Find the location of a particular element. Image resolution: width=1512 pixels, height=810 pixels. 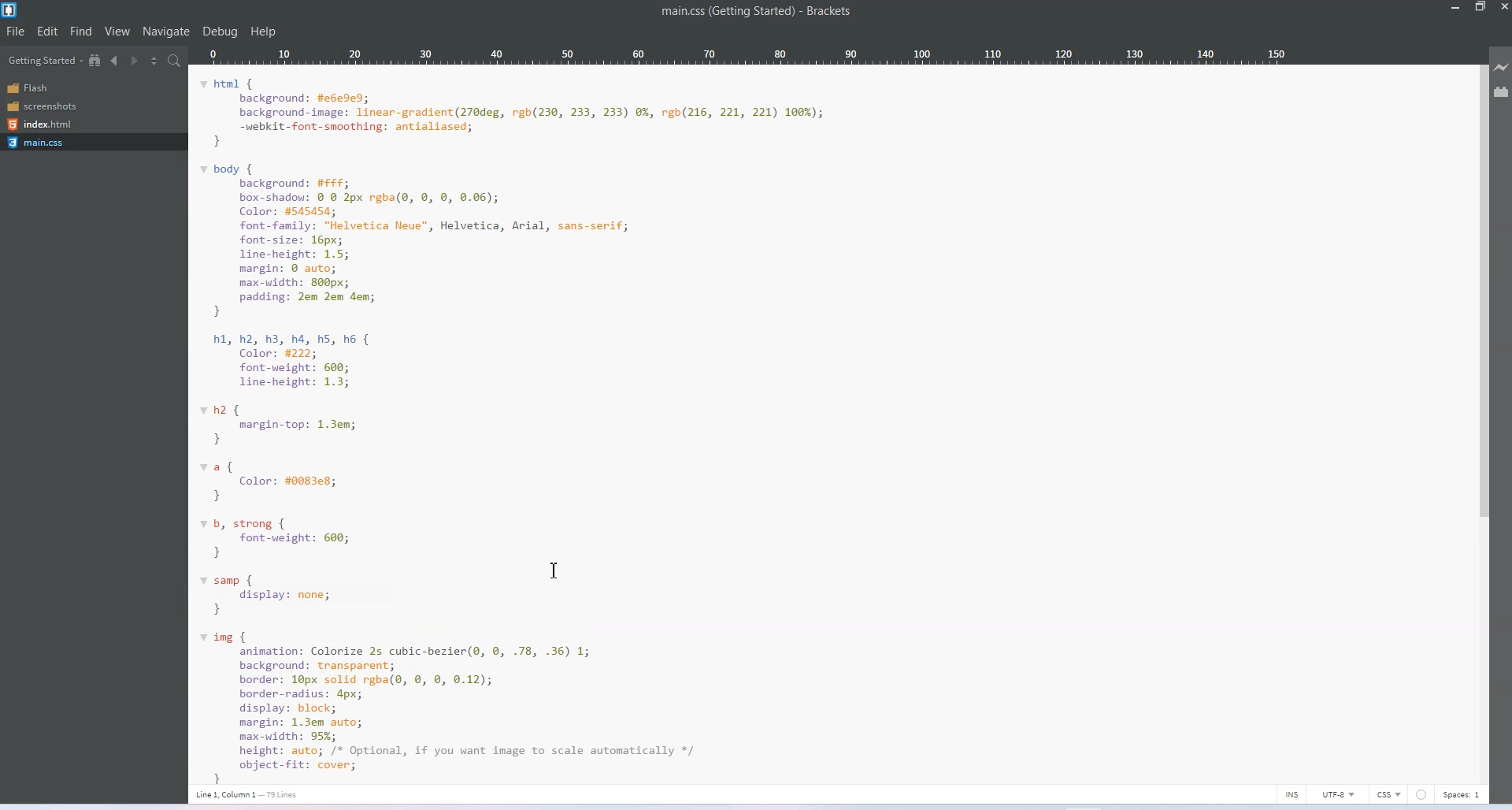

View is located at coordinates (120, 32).